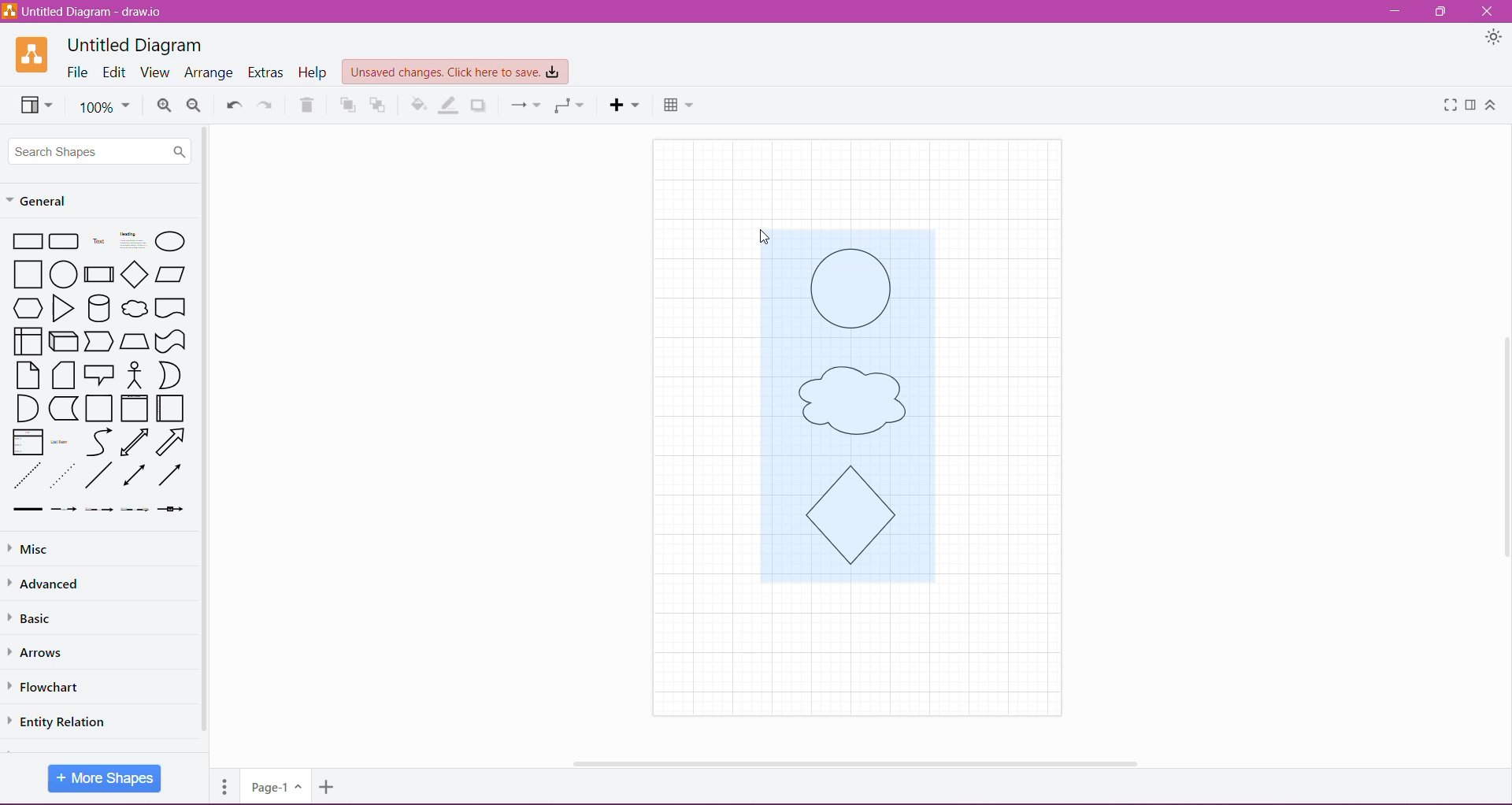 Image resolution: width=1512 pixels, height=805 pixels. I want to click on General, so click(47, 199).